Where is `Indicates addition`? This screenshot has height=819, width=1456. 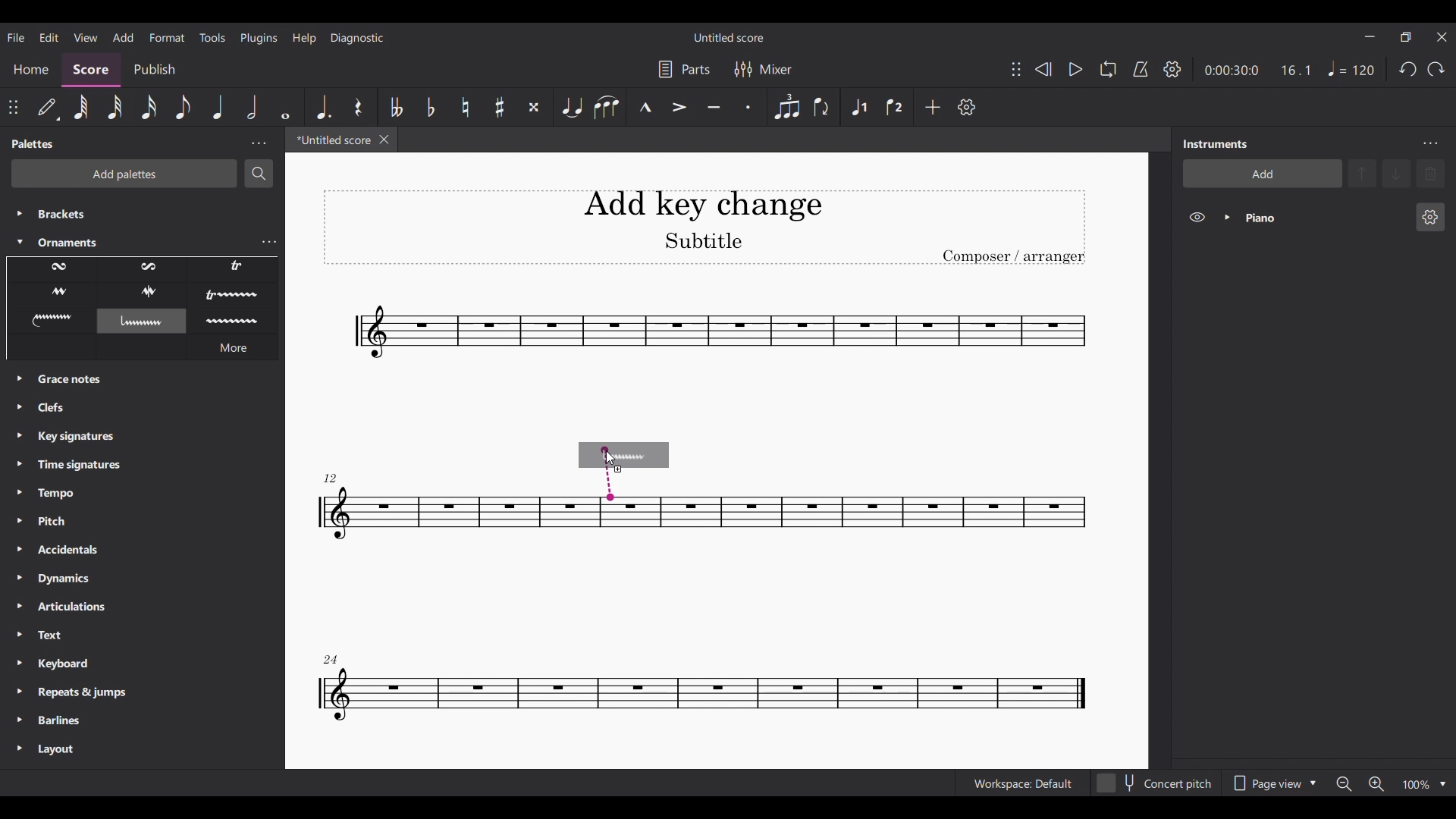 Indicates addition is located at coordinates (618, 469).